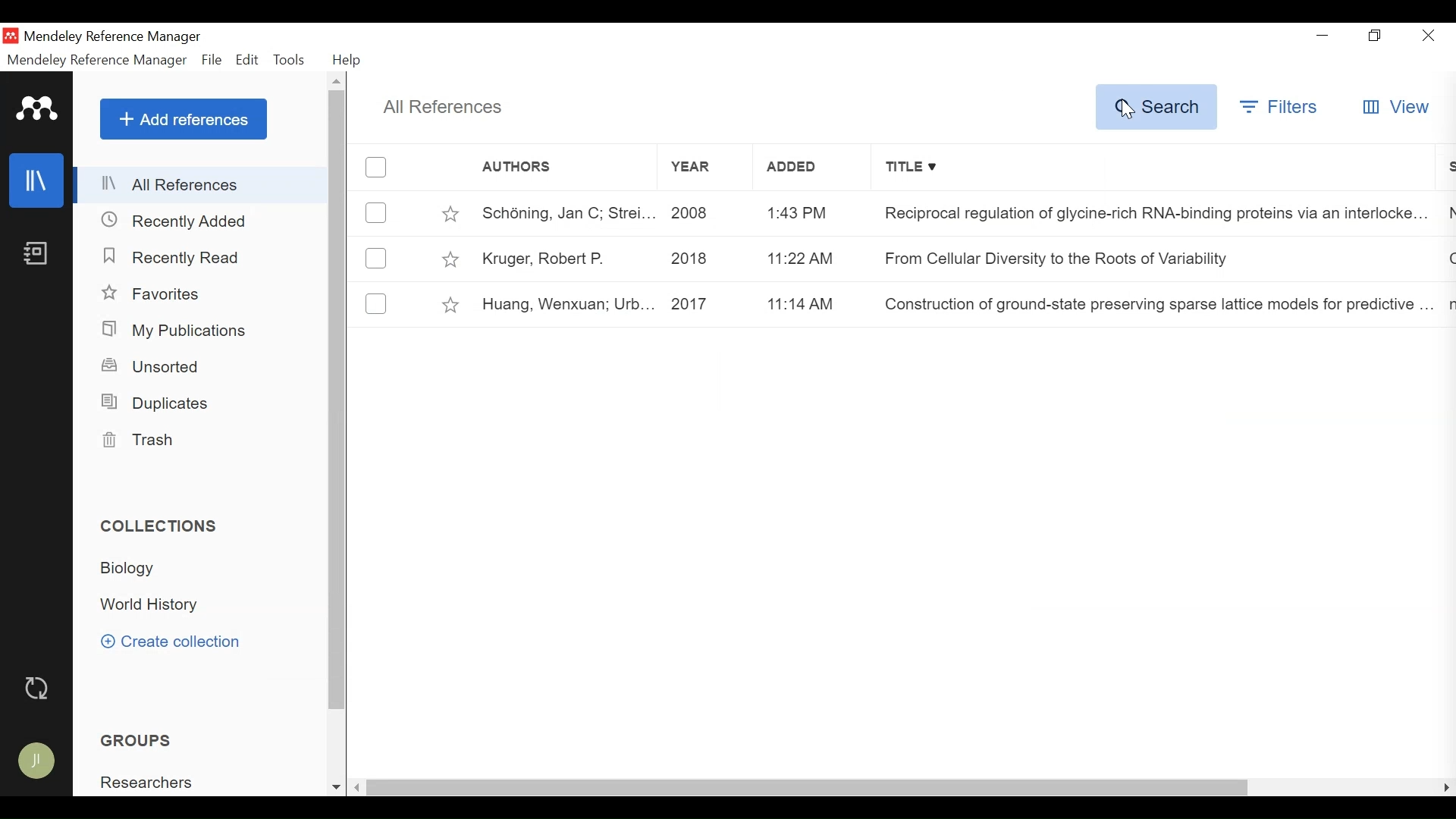 This screenshot has width=1456, height=819. What do you see at coordinates (375, 301) in the screenshot?
I see `(un)select` at bounding box center [375, 301].